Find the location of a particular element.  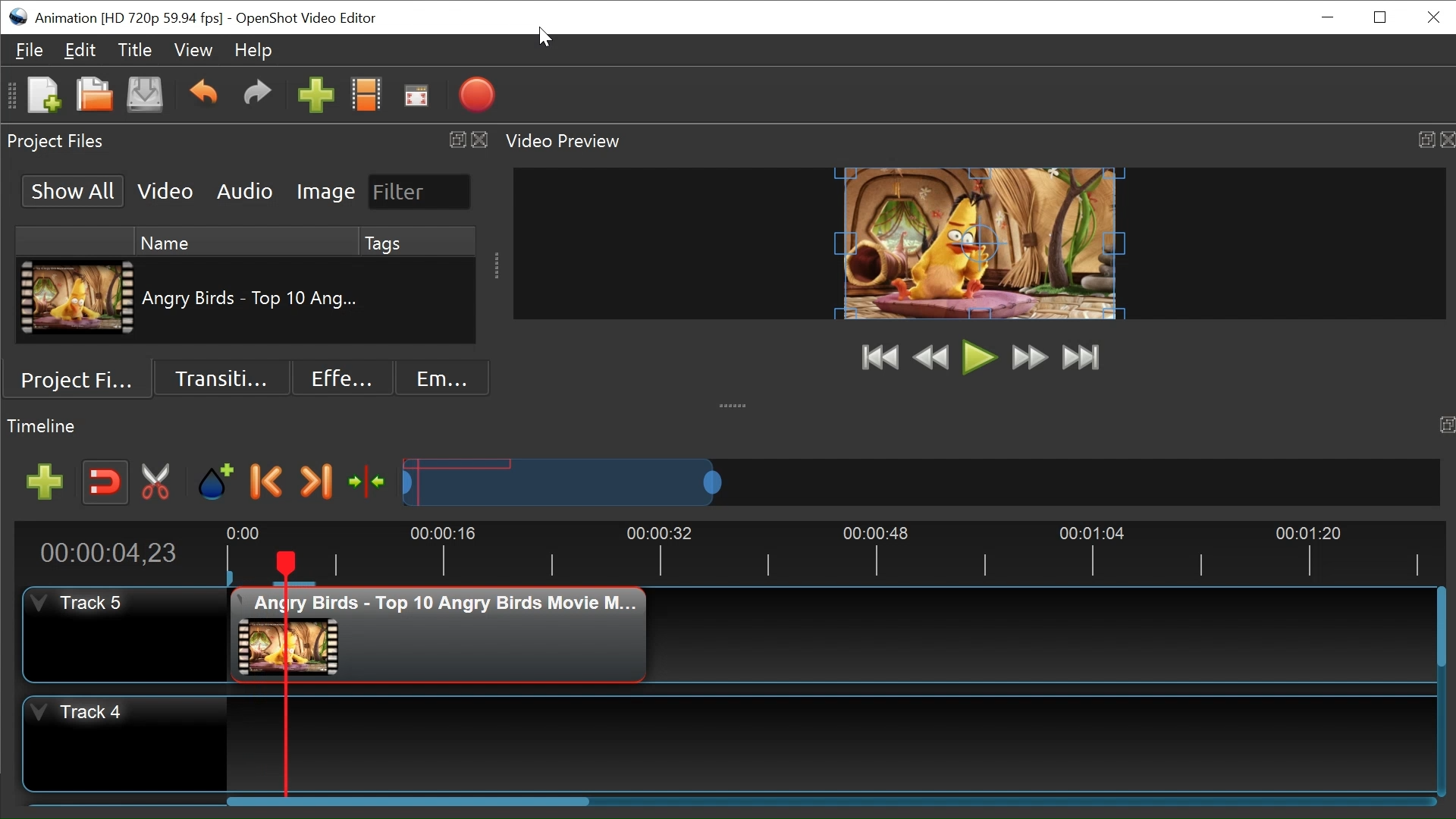

Zoom Slider is located at coordinates (921, 482).